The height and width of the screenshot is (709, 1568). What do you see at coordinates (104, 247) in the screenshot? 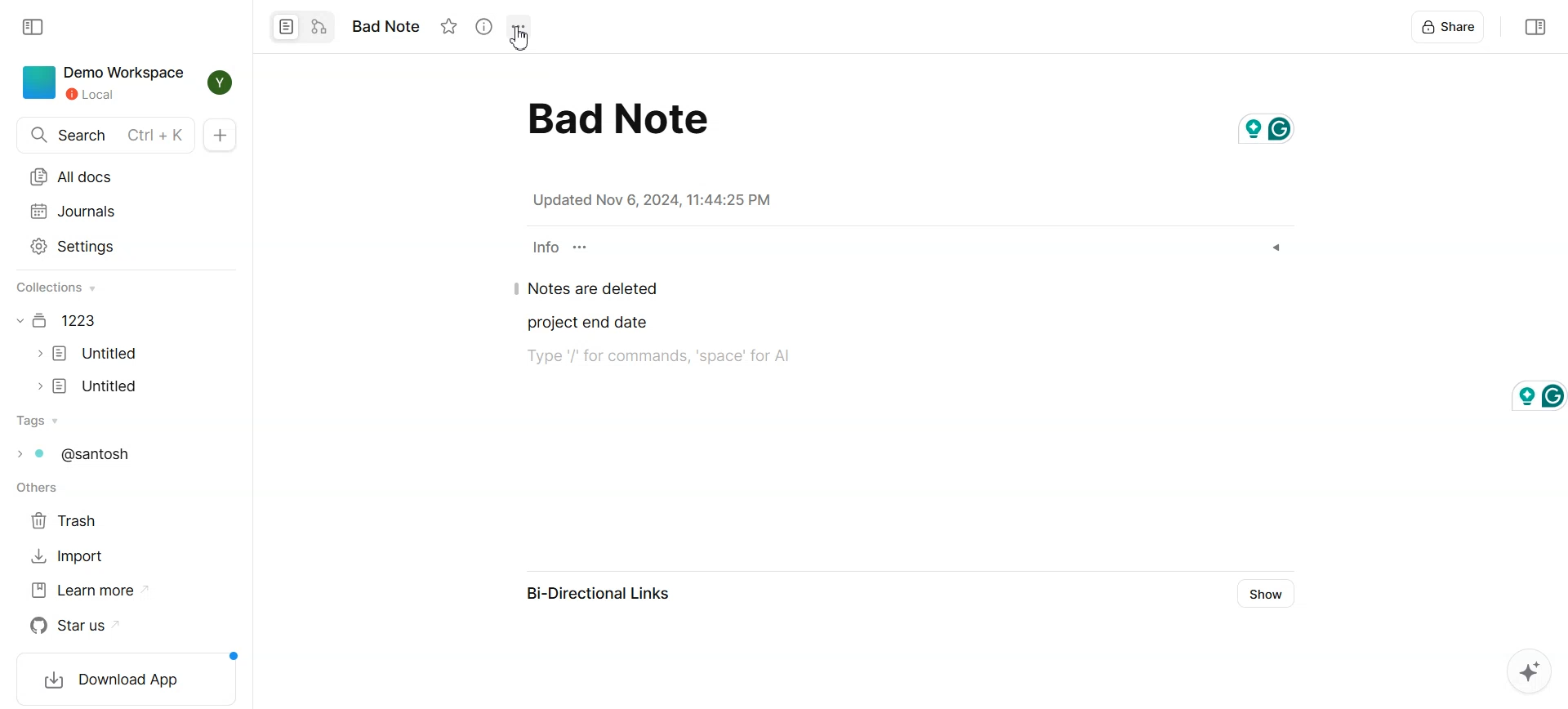
I see `Settings` at bounding box center [104, 247].